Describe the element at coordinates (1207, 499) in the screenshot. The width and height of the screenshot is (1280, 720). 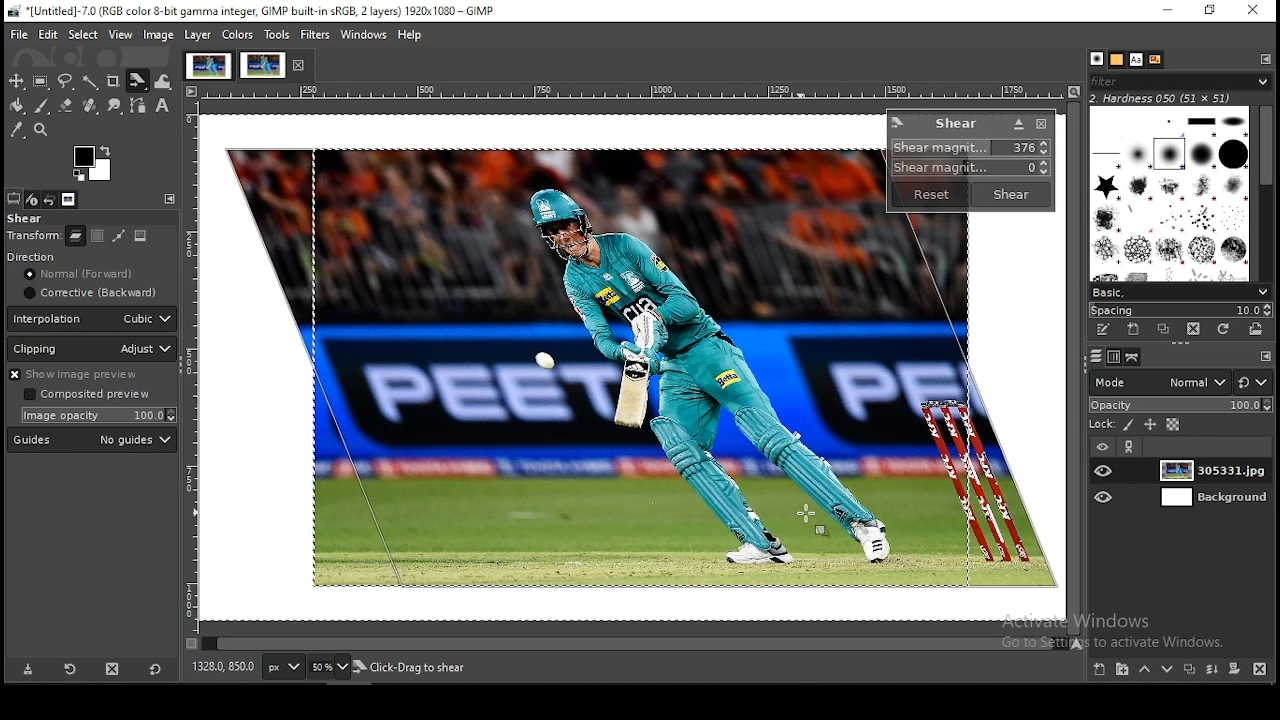
I see `layer 2` at that location.